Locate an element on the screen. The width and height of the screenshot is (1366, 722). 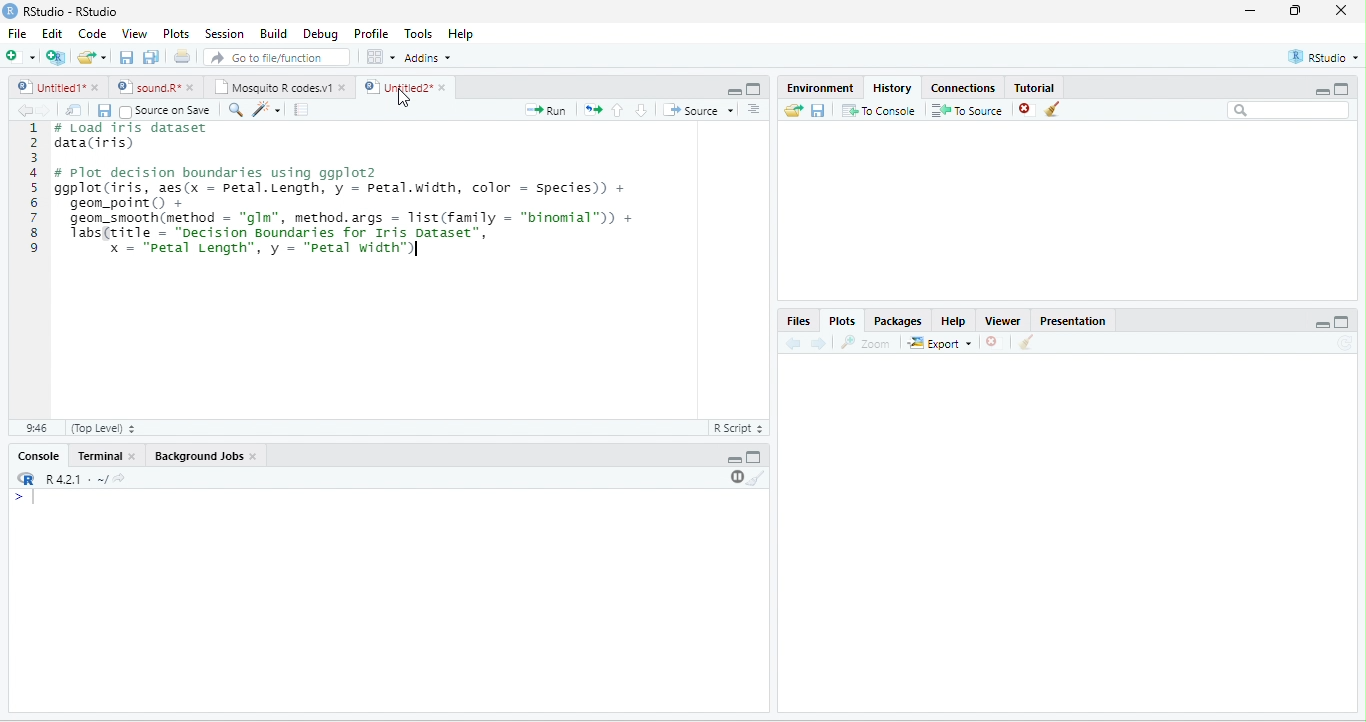
maximize is located at coordinates (754, 89).